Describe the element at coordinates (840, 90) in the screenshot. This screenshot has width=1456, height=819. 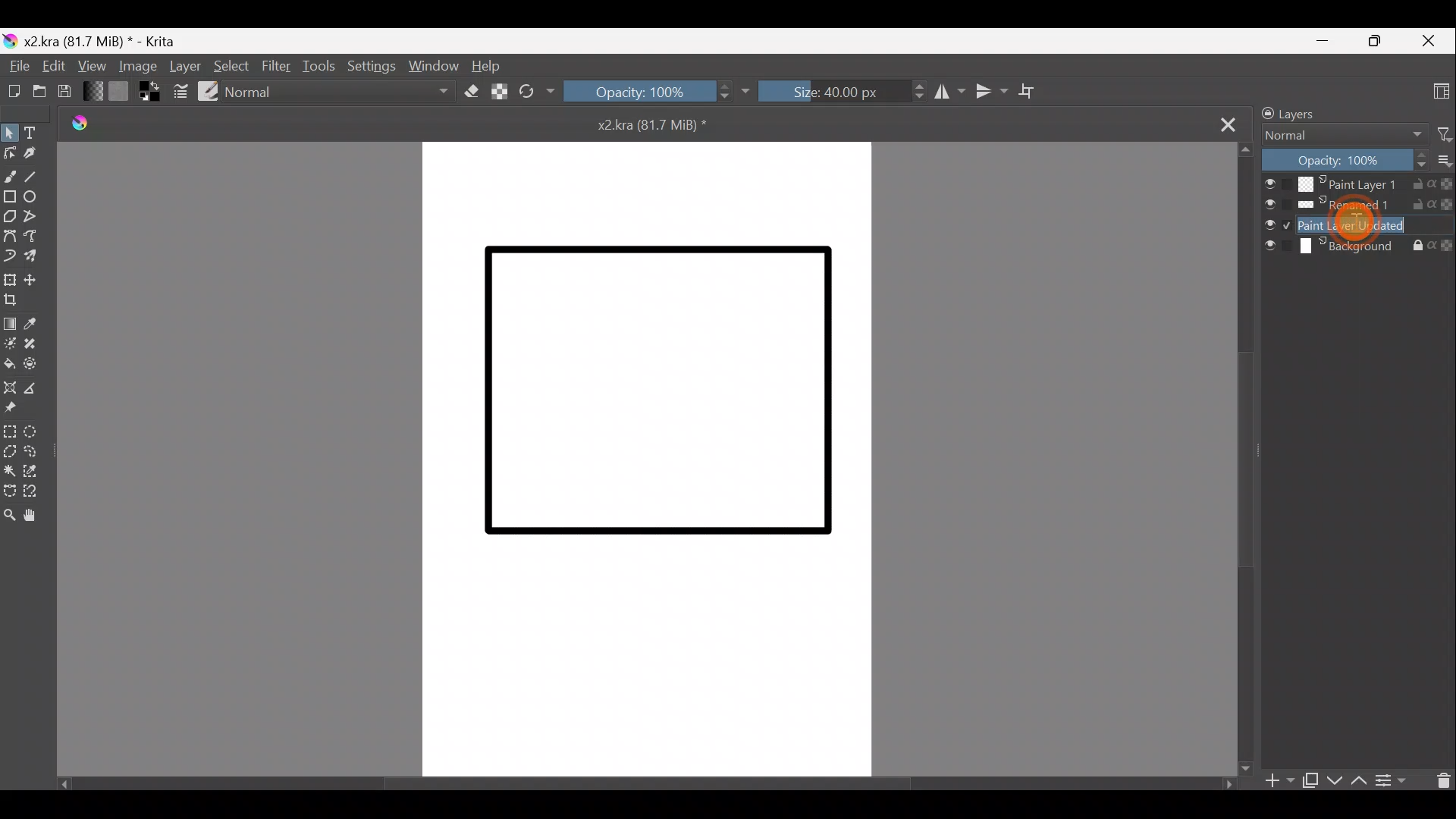
I see `Size: 40.00px` at that location.